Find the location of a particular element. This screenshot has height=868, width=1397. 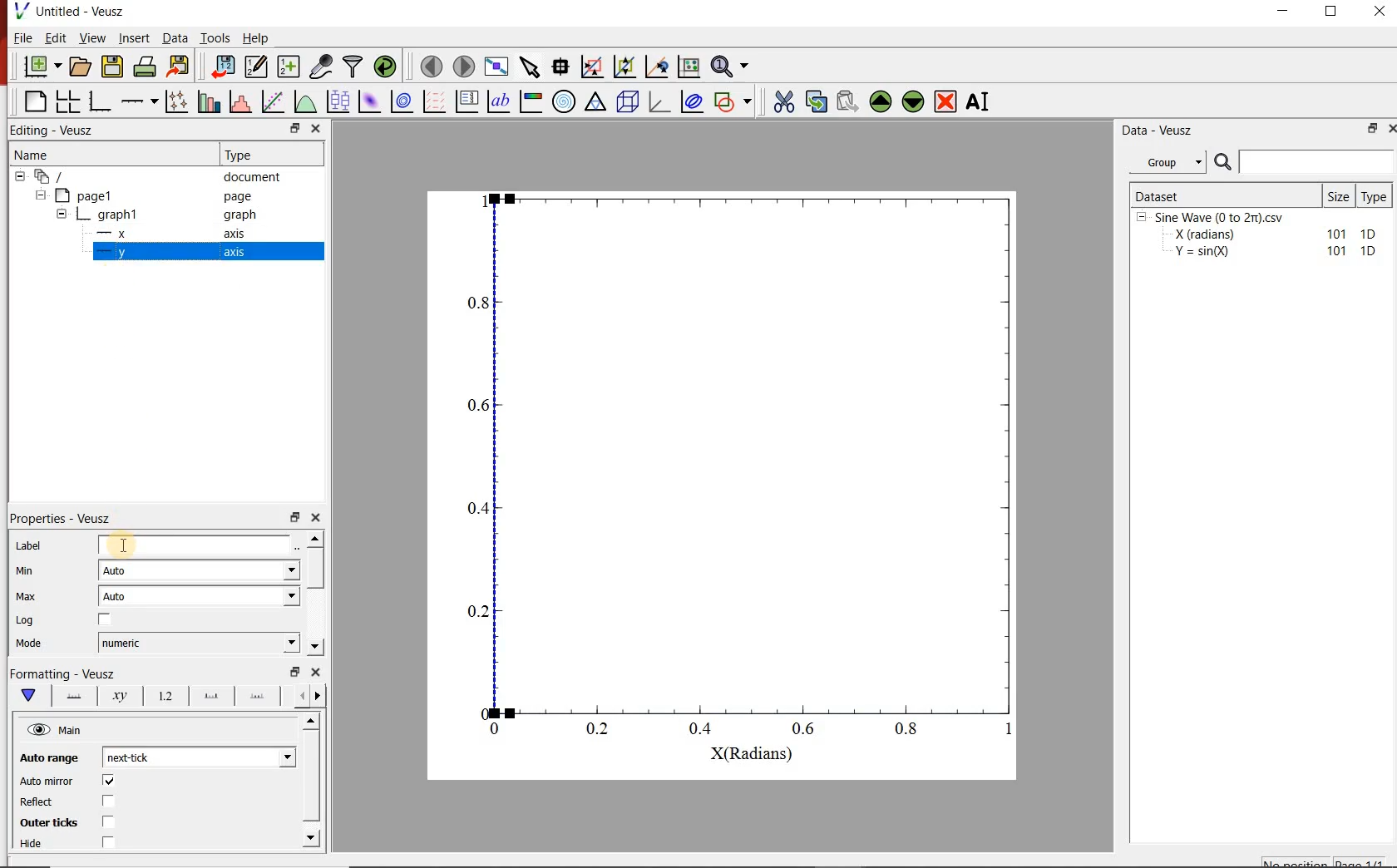

Close is located at coordinates (317, 672).